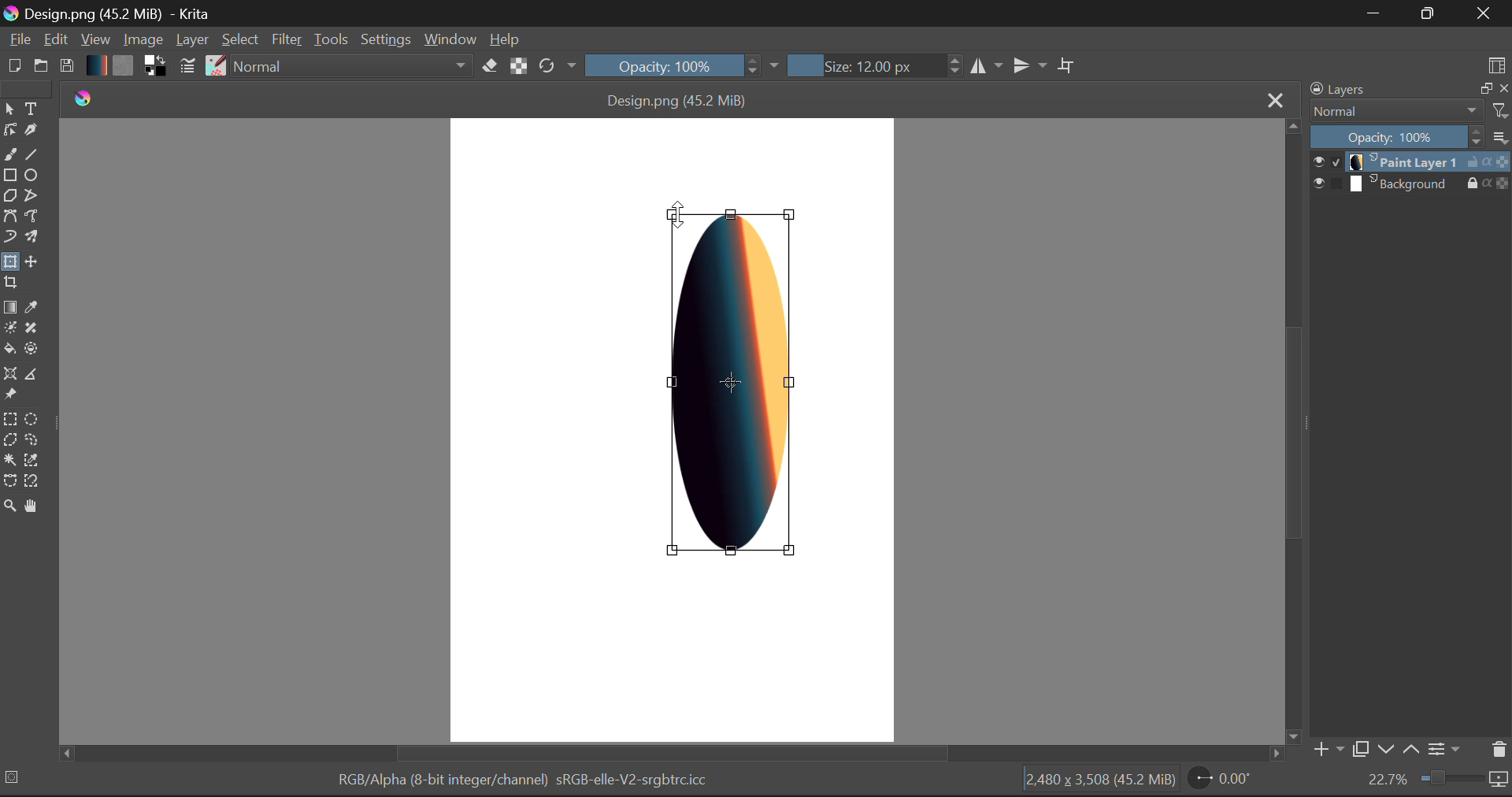  Describe the element at coordinates (1026, 65) in the screenshot. I see `Horizontal Mirror Flip` at that location.